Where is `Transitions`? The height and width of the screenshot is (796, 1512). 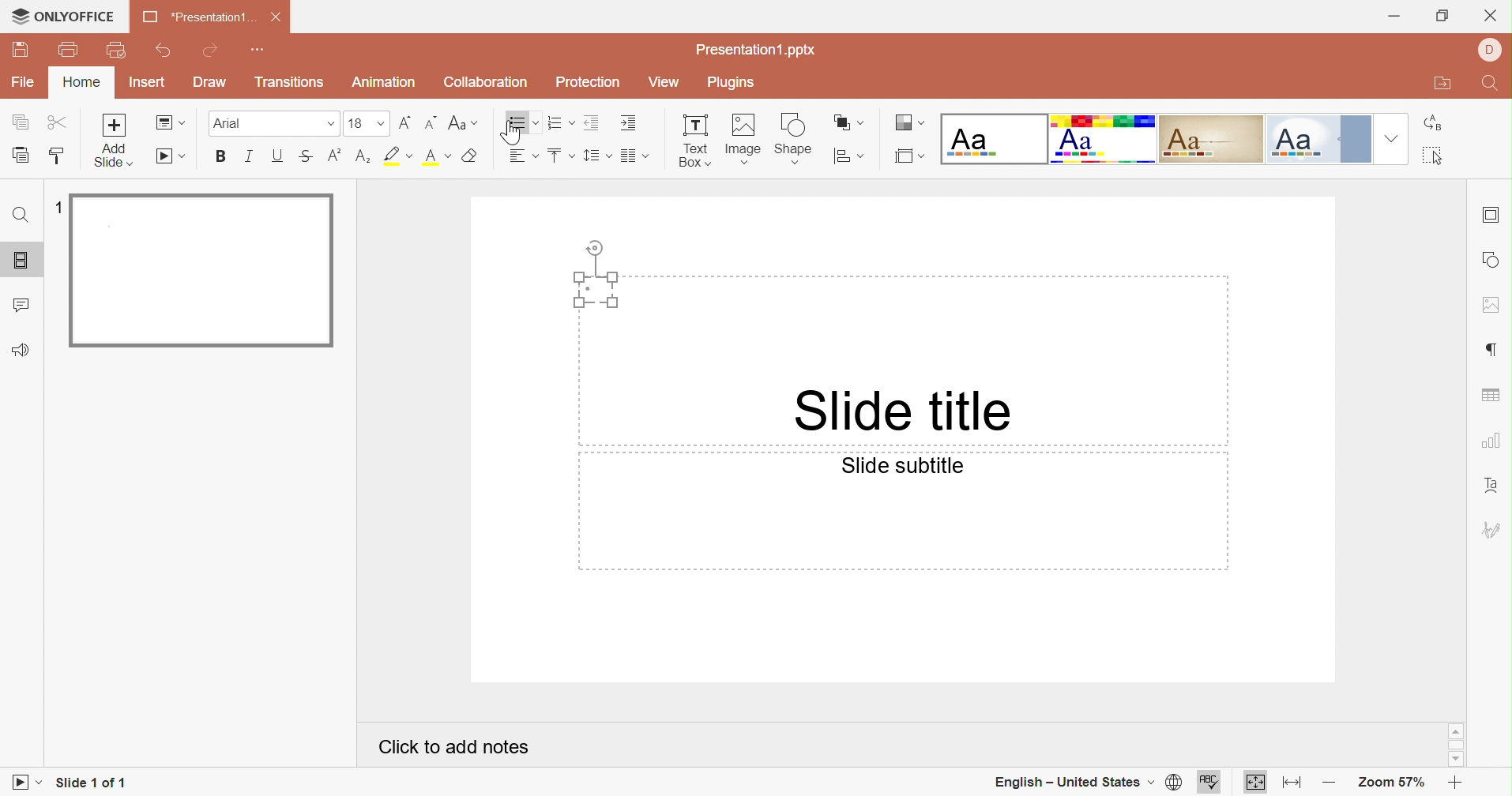
Transitions is located at coordinates (291, 84).